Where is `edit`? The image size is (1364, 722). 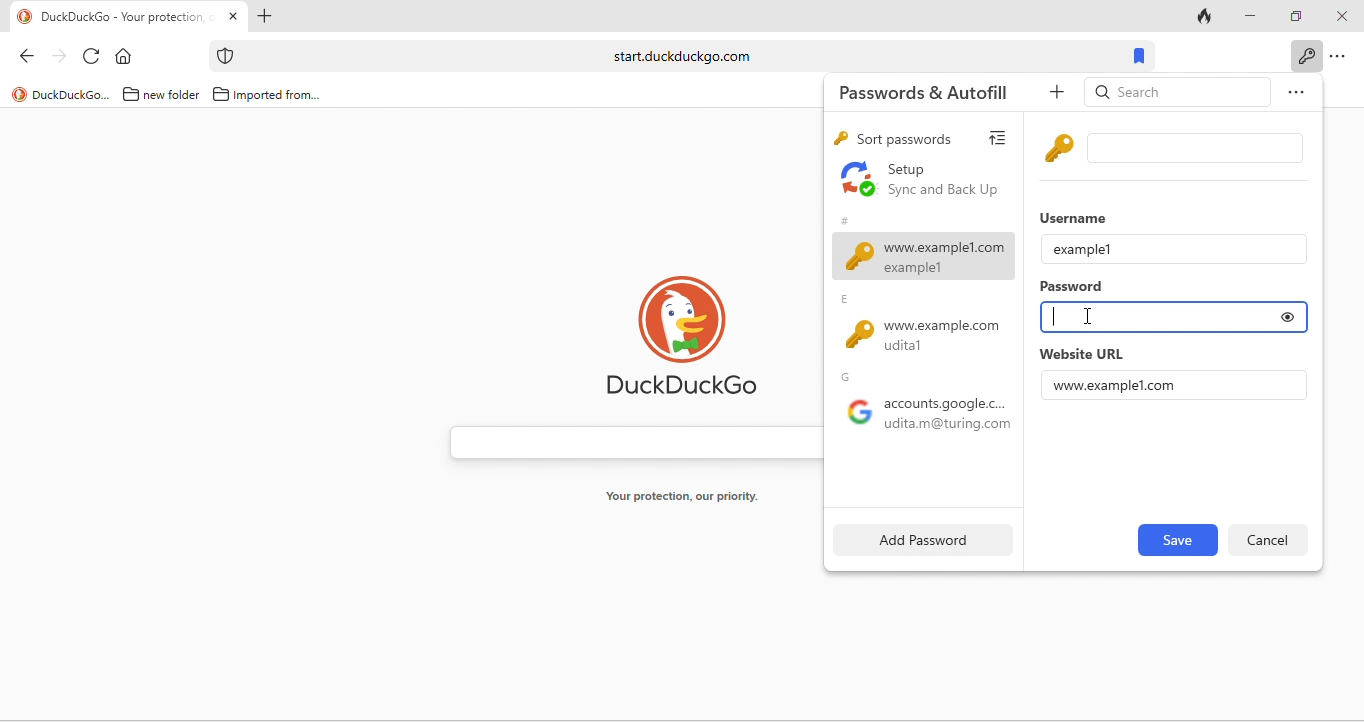 edit is located at coordinates (1176, 540).